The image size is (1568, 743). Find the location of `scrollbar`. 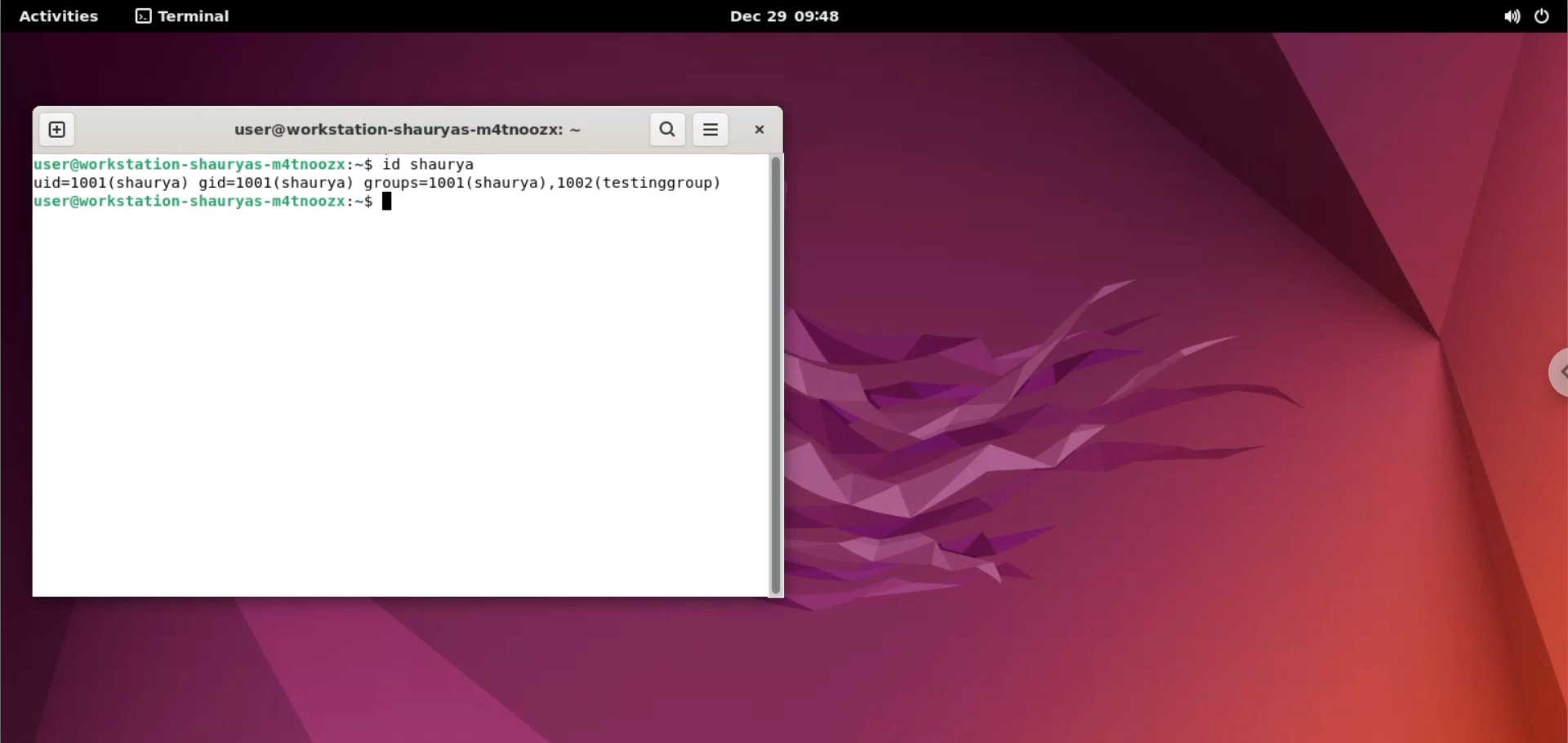

scrollbar is located at coordinates (780, 376).